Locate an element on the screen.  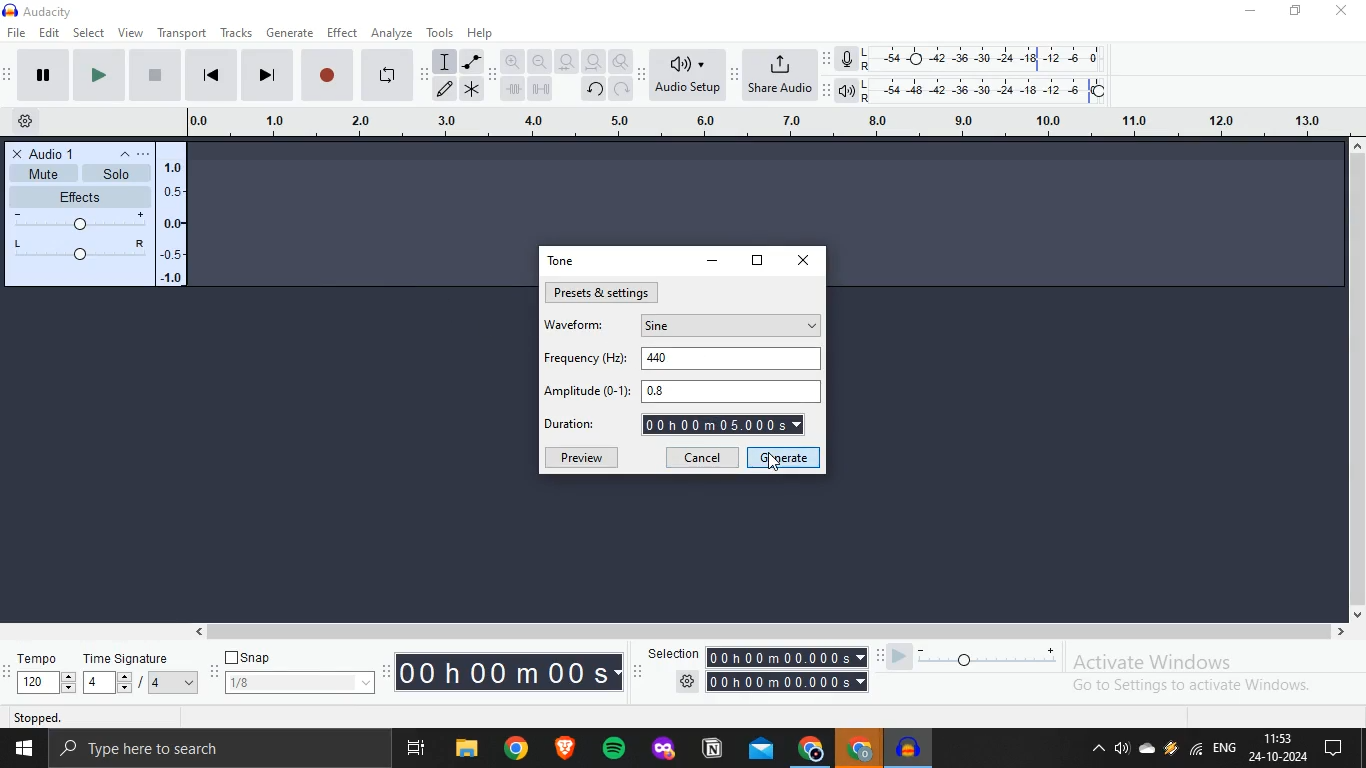
Show hidden icons is located at coordinates (1099, 752).